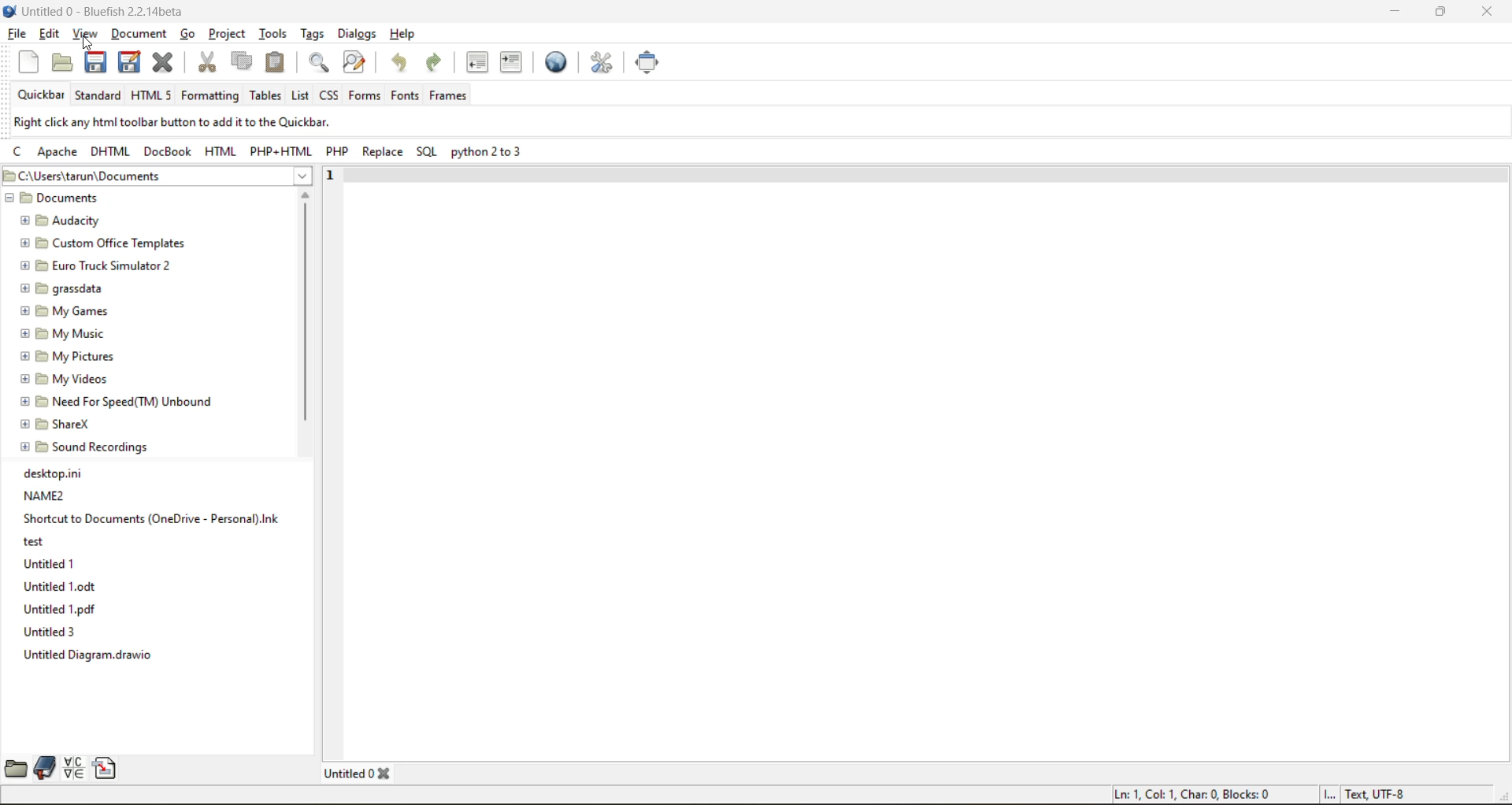 This screenshot has height=805, width=1512. Describe the element at coordinates (99, 96) in the screenshot. I see `standard` at that location.